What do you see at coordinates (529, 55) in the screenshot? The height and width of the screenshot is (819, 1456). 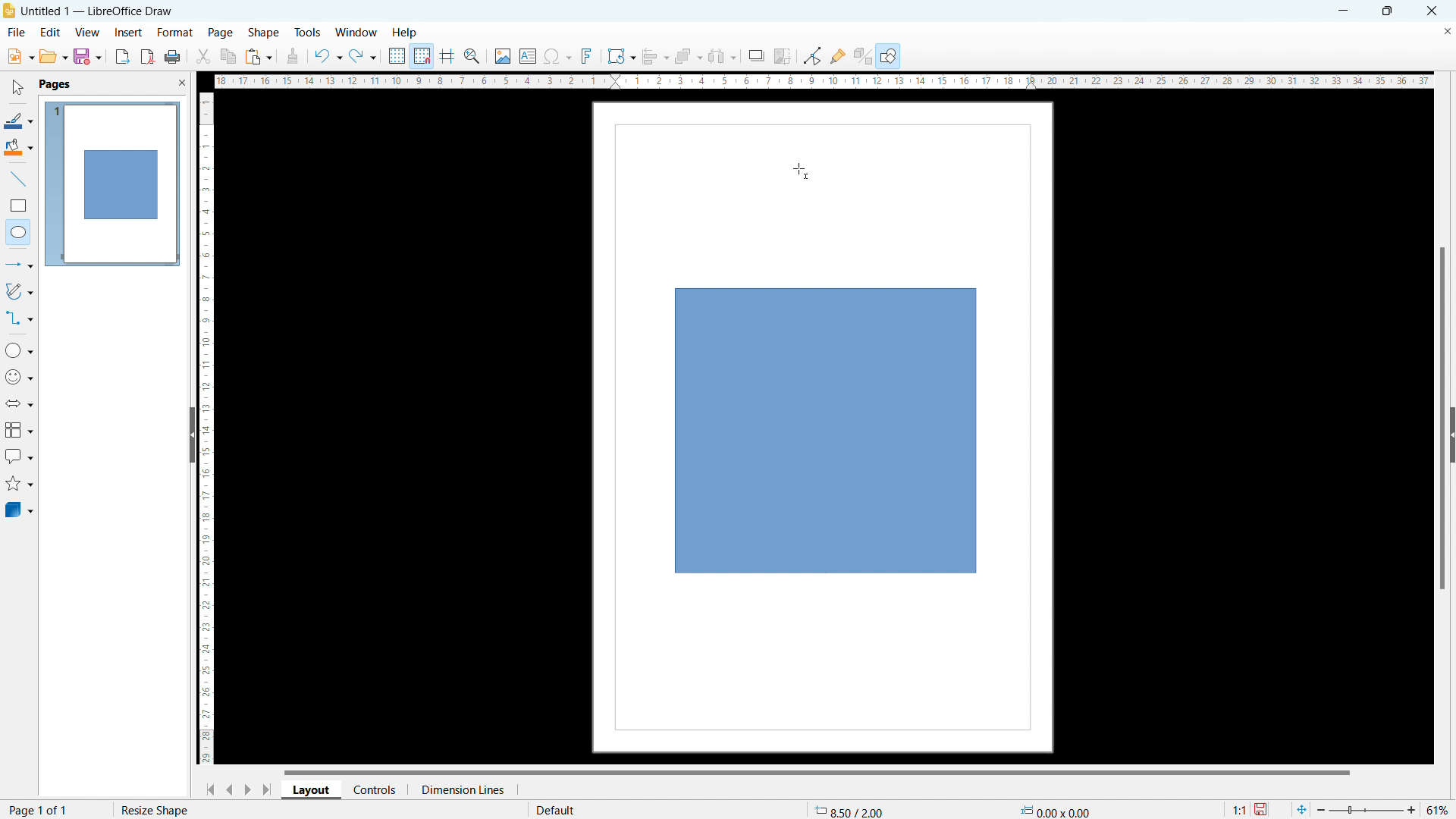 I see `insert text box` at bounding box center [529, 55].